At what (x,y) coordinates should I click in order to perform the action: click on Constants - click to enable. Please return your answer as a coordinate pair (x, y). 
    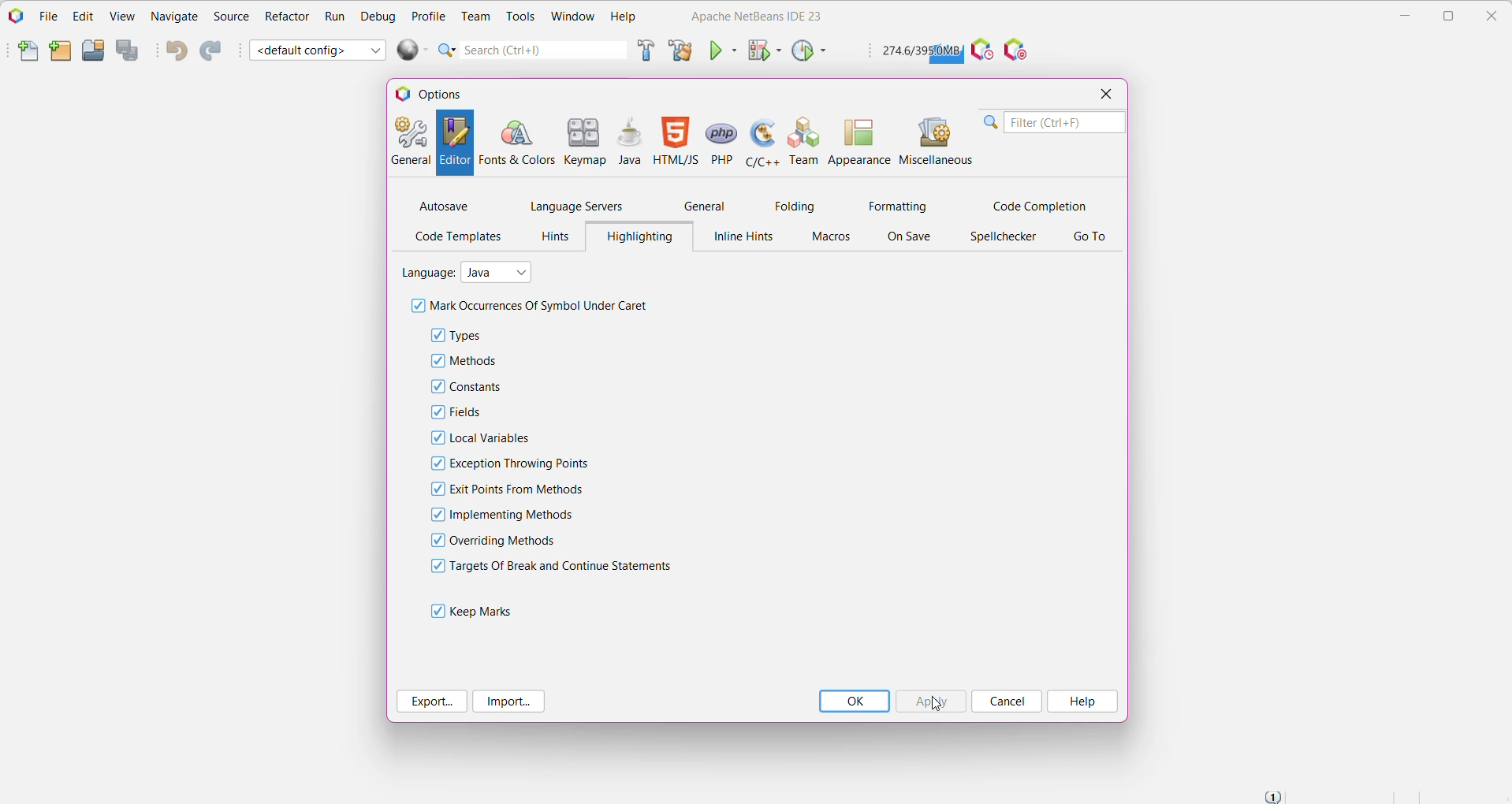
    Looking at the image, I should click on (482, 388).